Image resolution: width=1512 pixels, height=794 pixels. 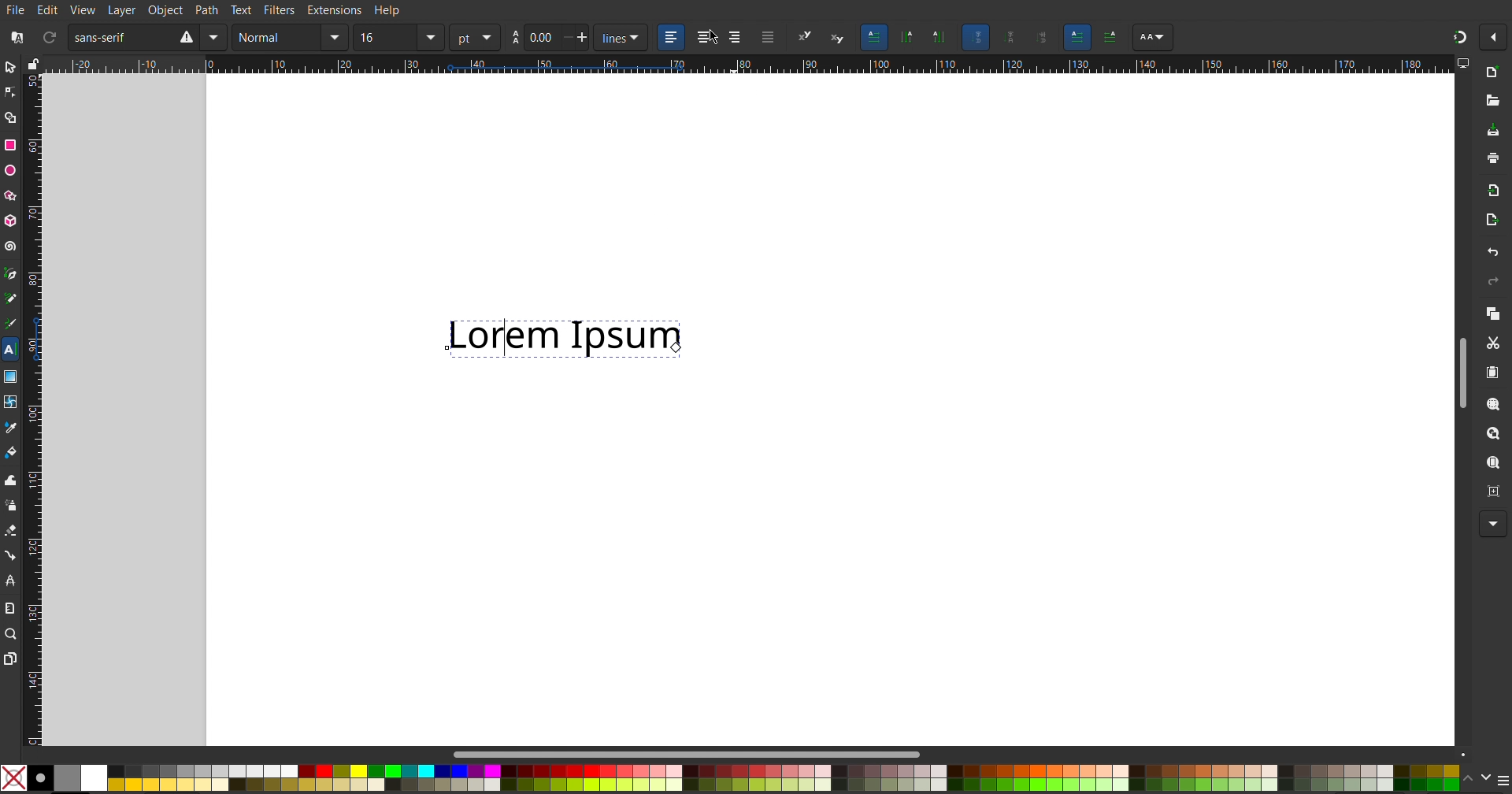 What do you see at coordinates (571, 336) in the screenshot?
I see `Lorem Ipsum` at bounding box center [571, 336].